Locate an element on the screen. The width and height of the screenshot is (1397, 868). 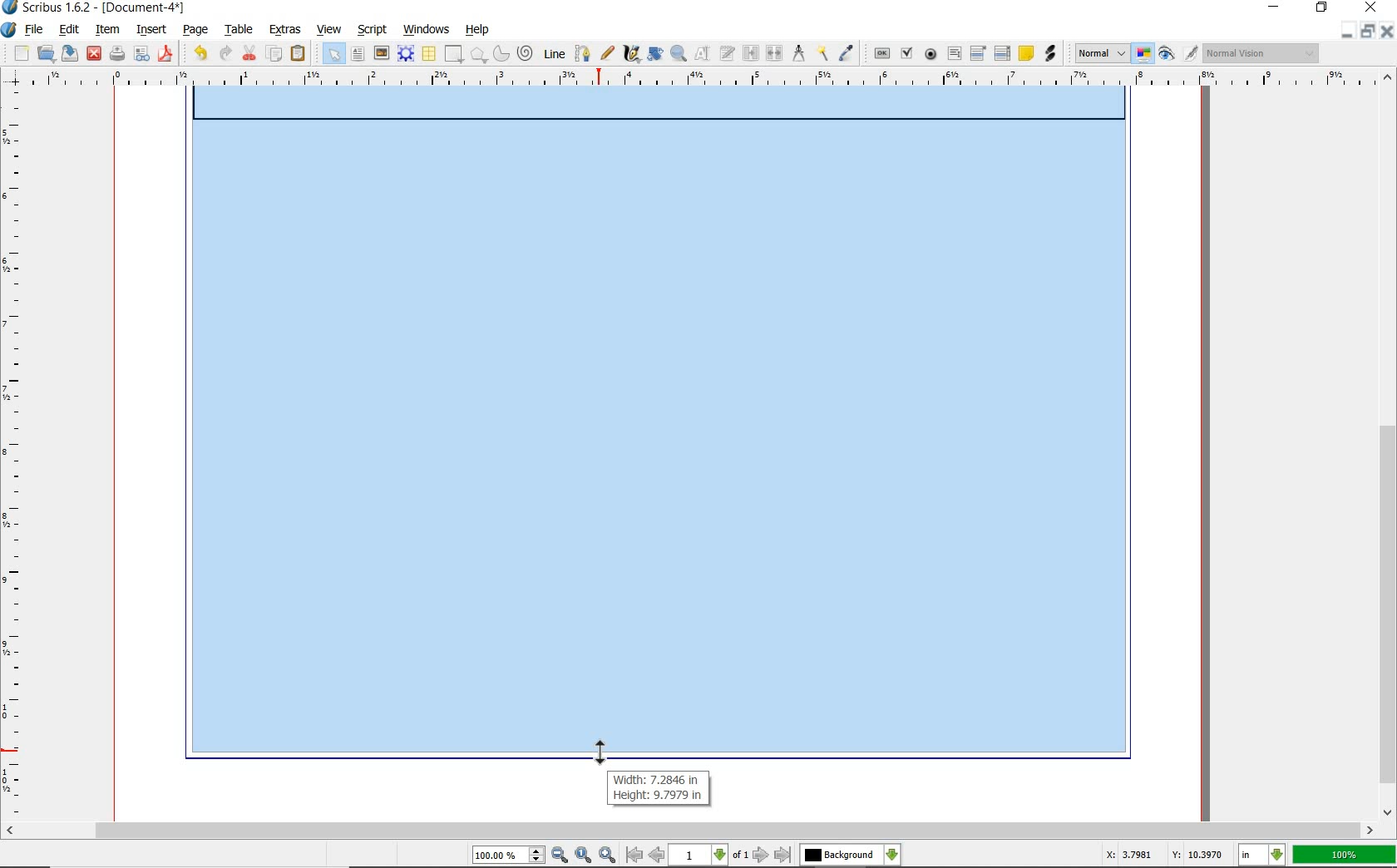
page is located at coordinates (197, 31).